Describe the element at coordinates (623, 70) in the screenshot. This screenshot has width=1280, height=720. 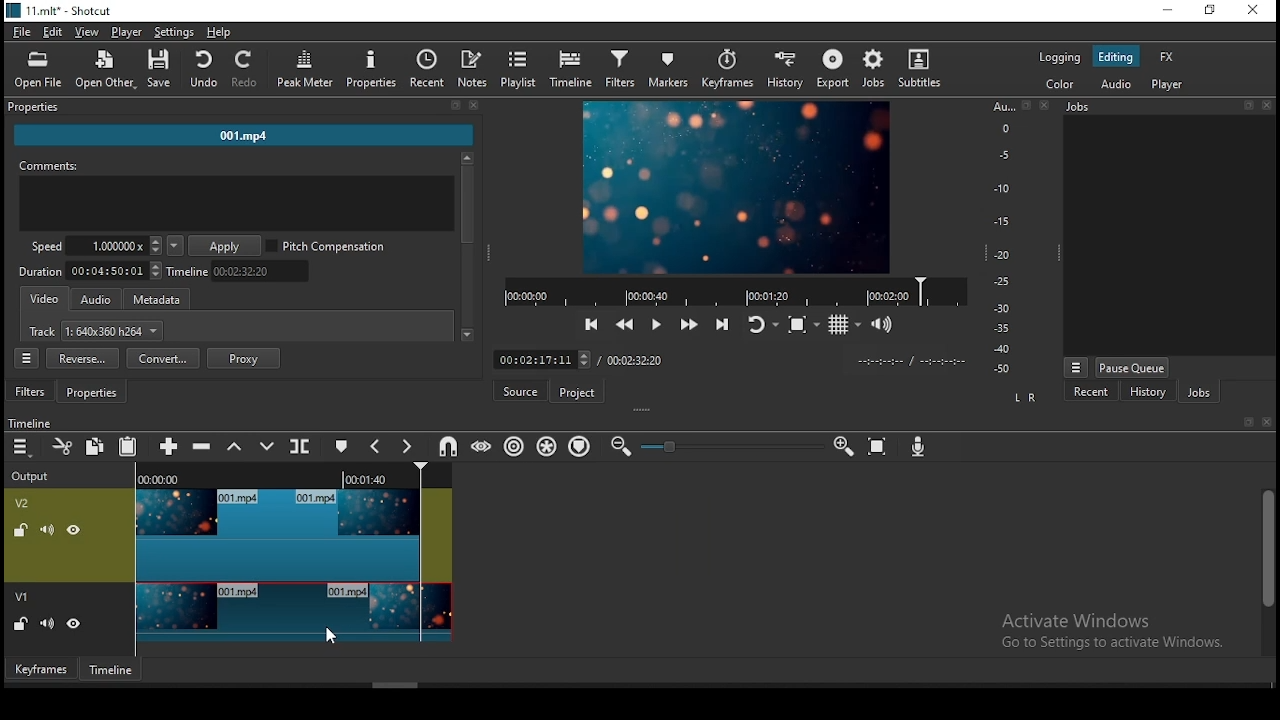
I see `filters` at that location.